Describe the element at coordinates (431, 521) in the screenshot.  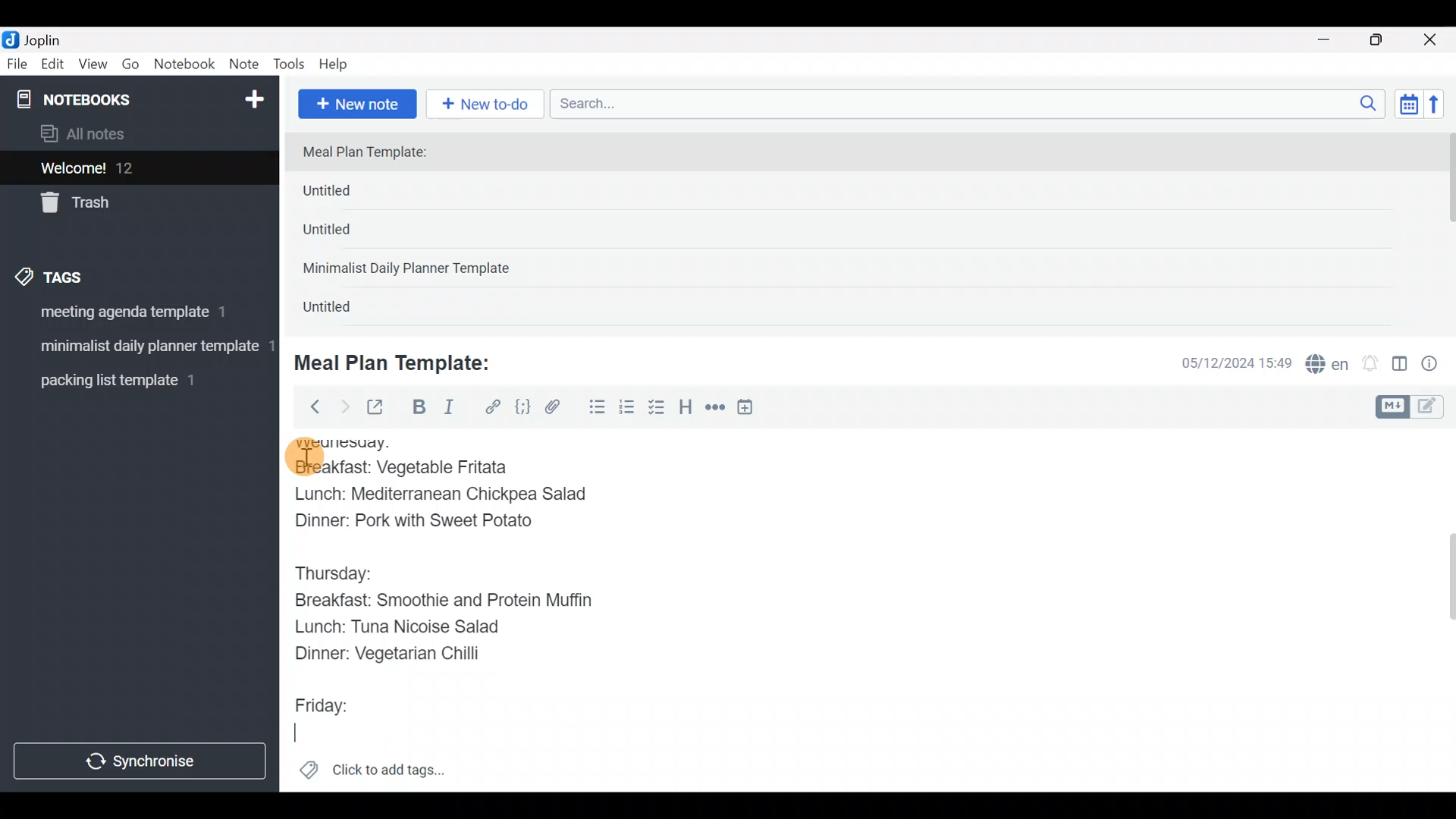
I see `Dinner: Pork with Sweet Potato` at that location.